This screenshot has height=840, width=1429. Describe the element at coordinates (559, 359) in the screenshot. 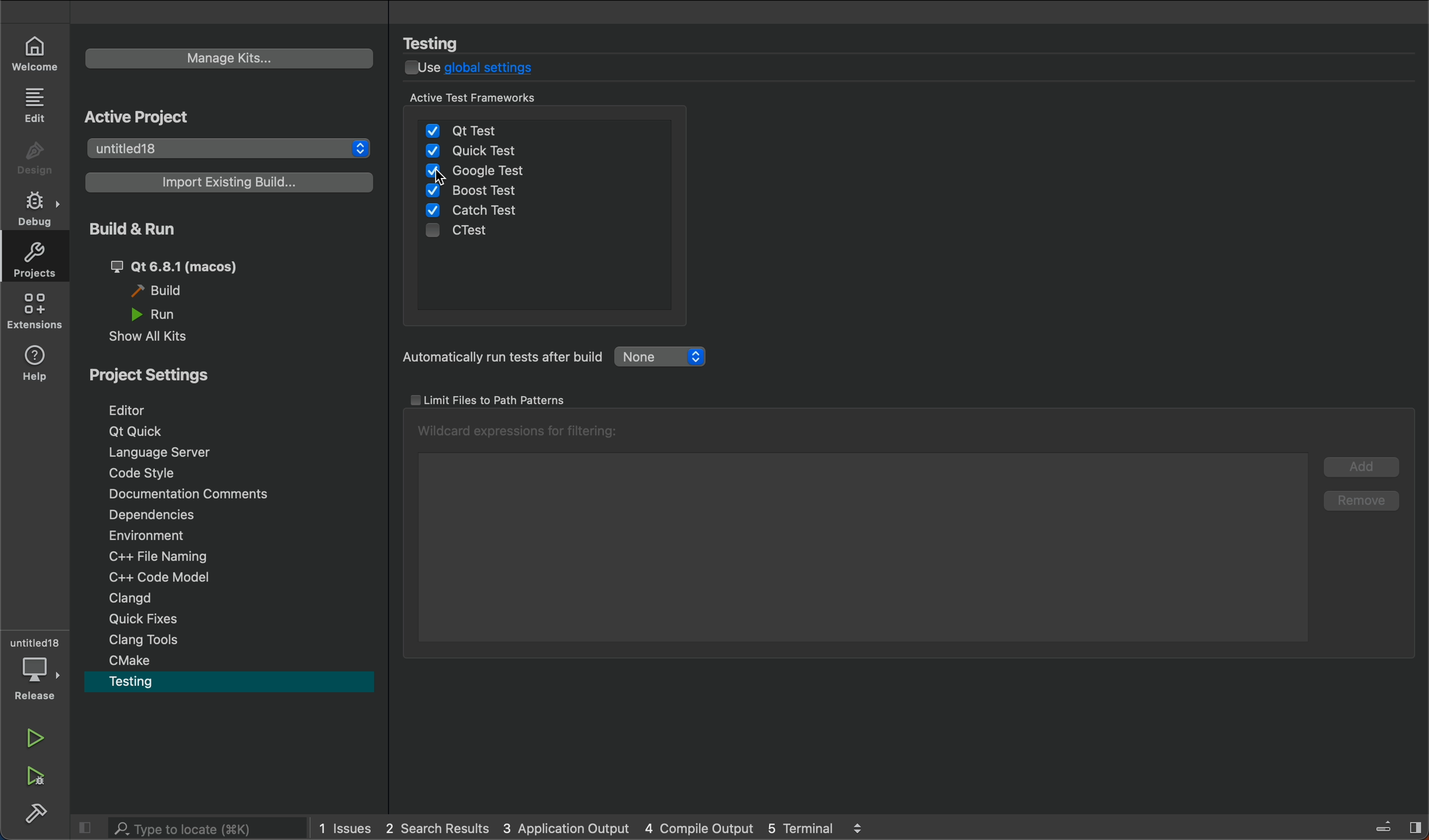

I see `automatic tests` at that location.